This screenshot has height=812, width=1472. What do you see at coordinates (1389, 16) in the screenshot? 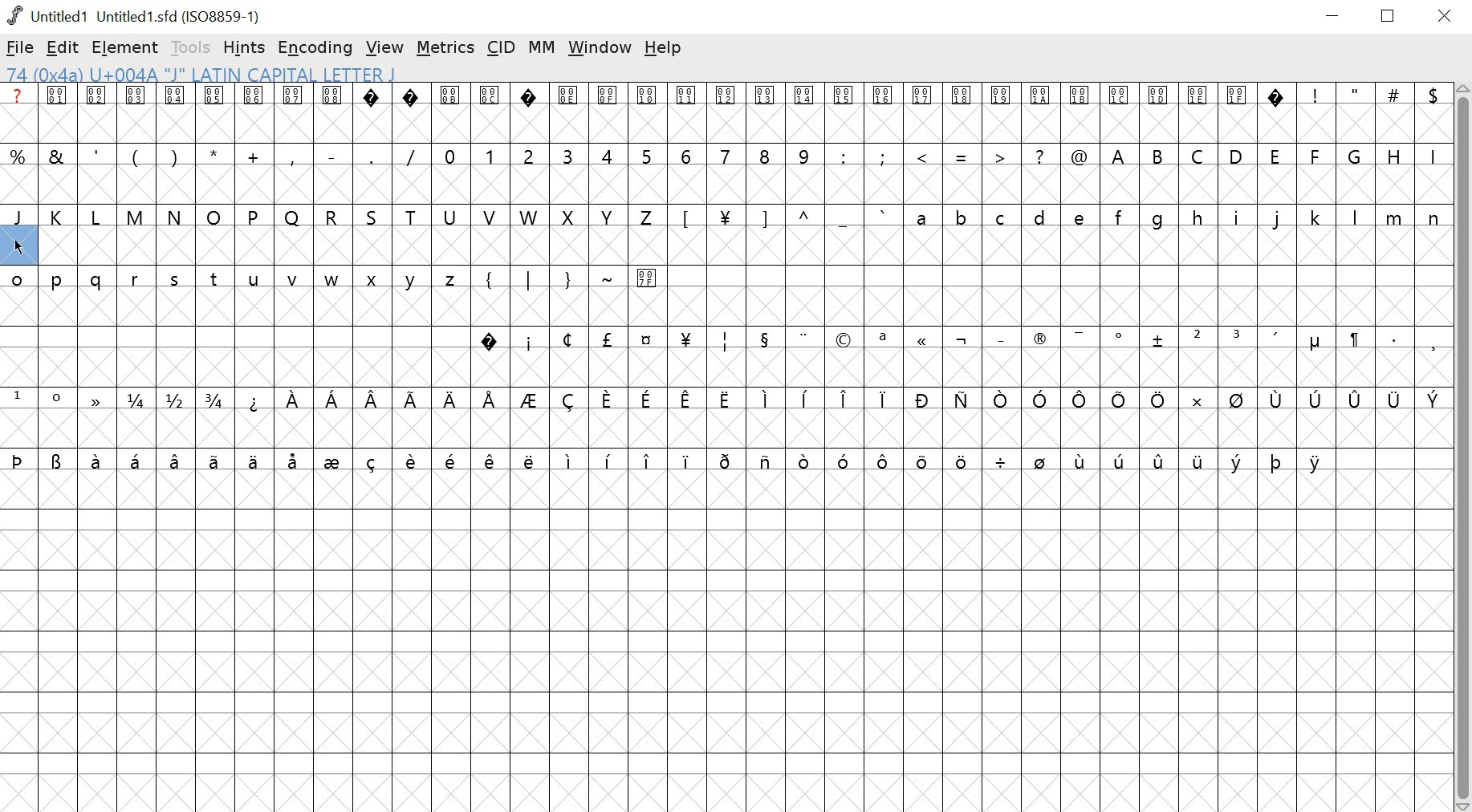
I see `restore down` at bounding box center [1389, 16].